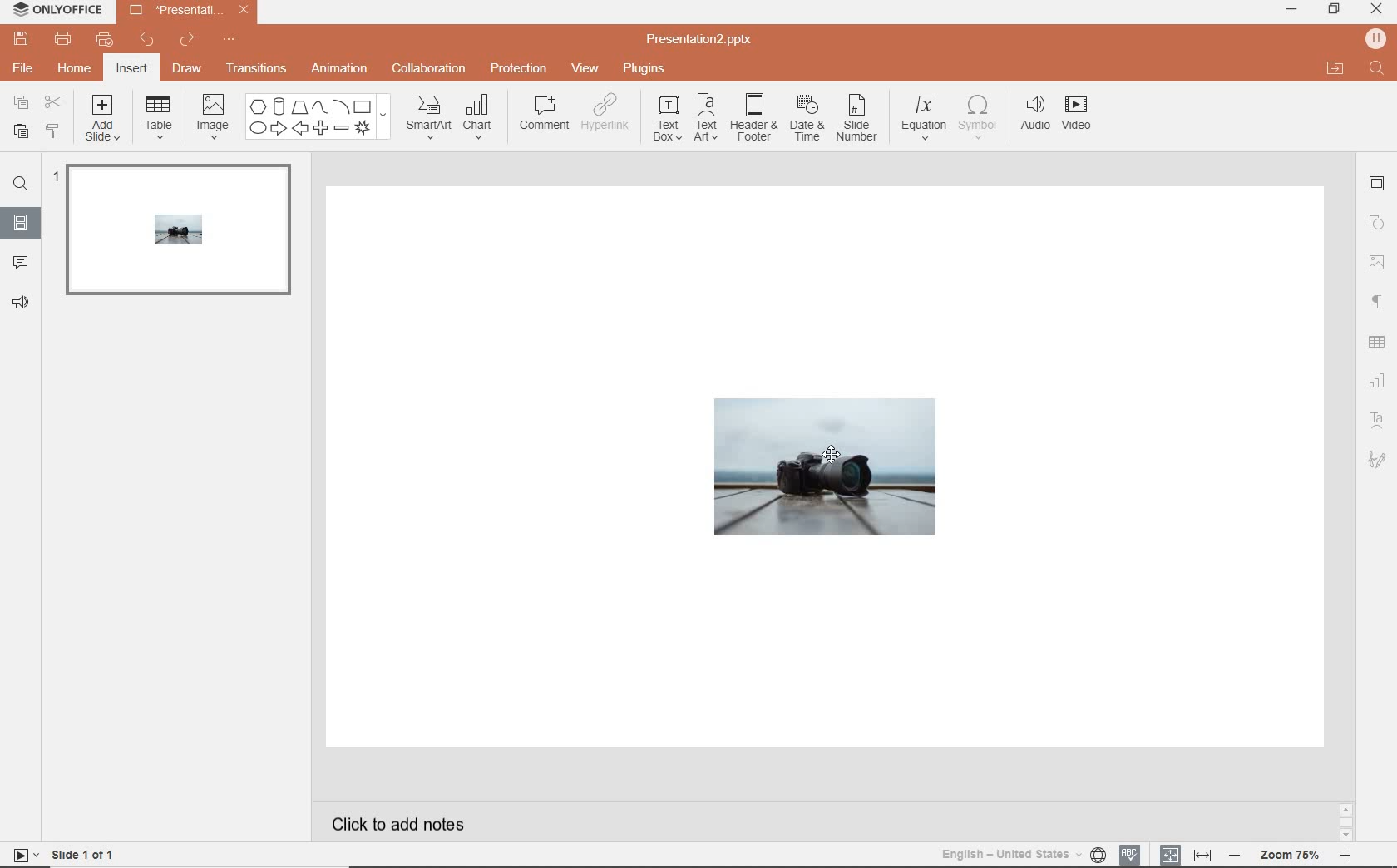 The image size is (1397, 868). Describe the element at coordinates (1375, 37) in the screenshot. I see `hp` at that location.